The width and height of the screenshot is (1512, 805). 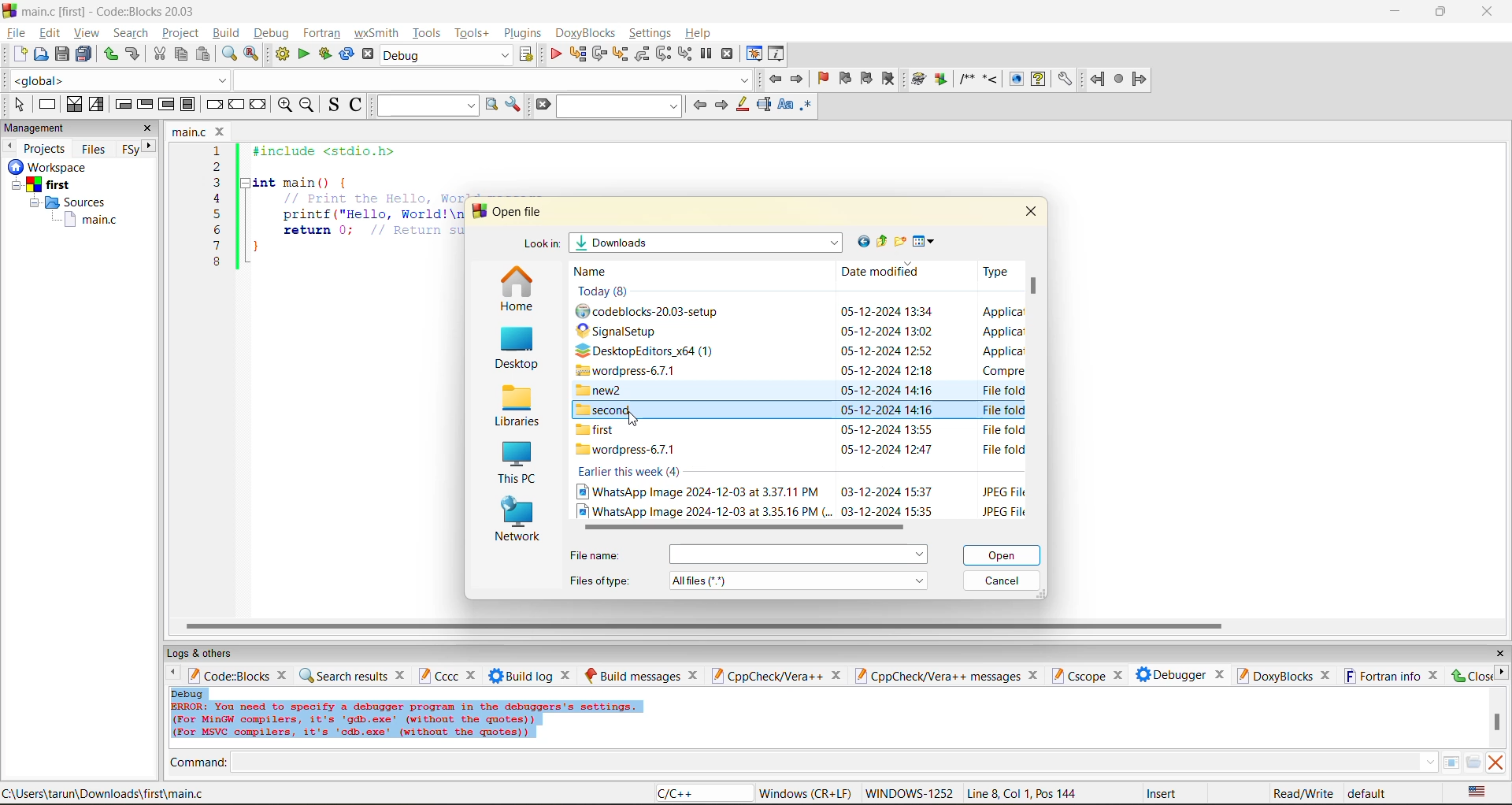 What do you see at coordinates (887, 331) in the screenshot?
I see `date and time` at bounding box center [887, 331].